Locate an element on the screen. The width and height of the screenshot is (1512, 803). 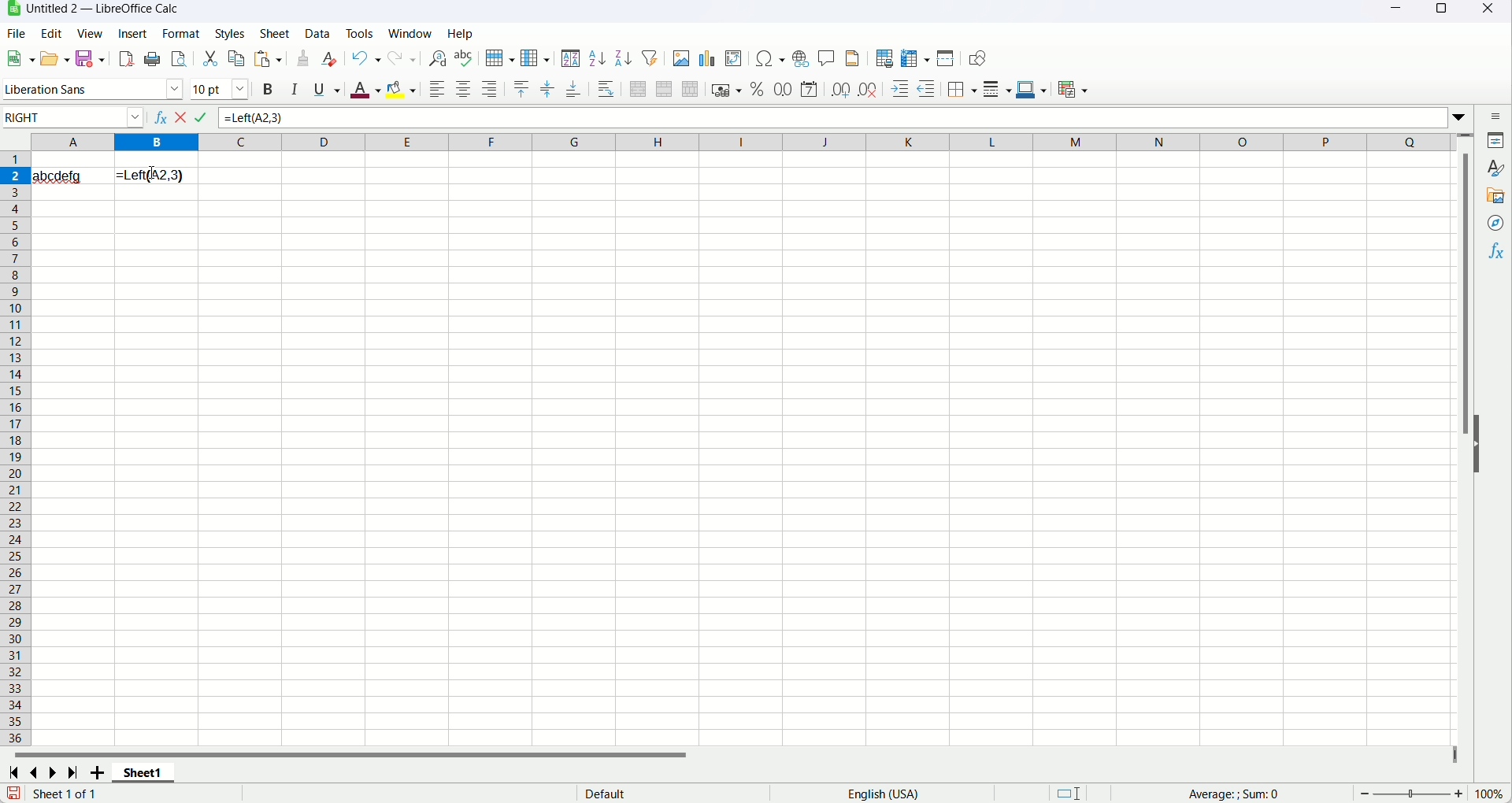
horizontal scroll bar is located at coordinates (731, 755).